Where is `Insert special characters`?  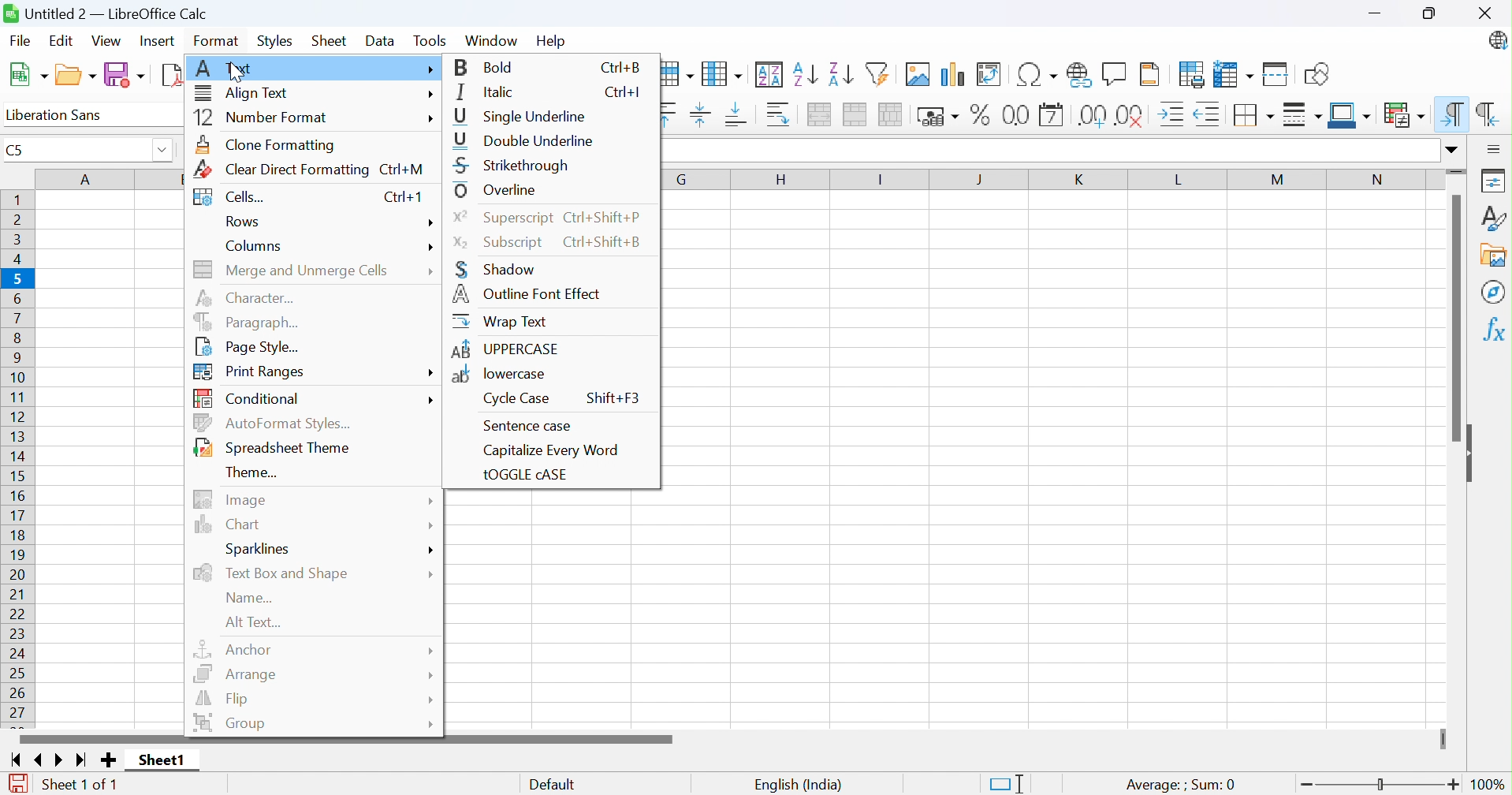
Insert special characters is located at coordinates (1037, 74).